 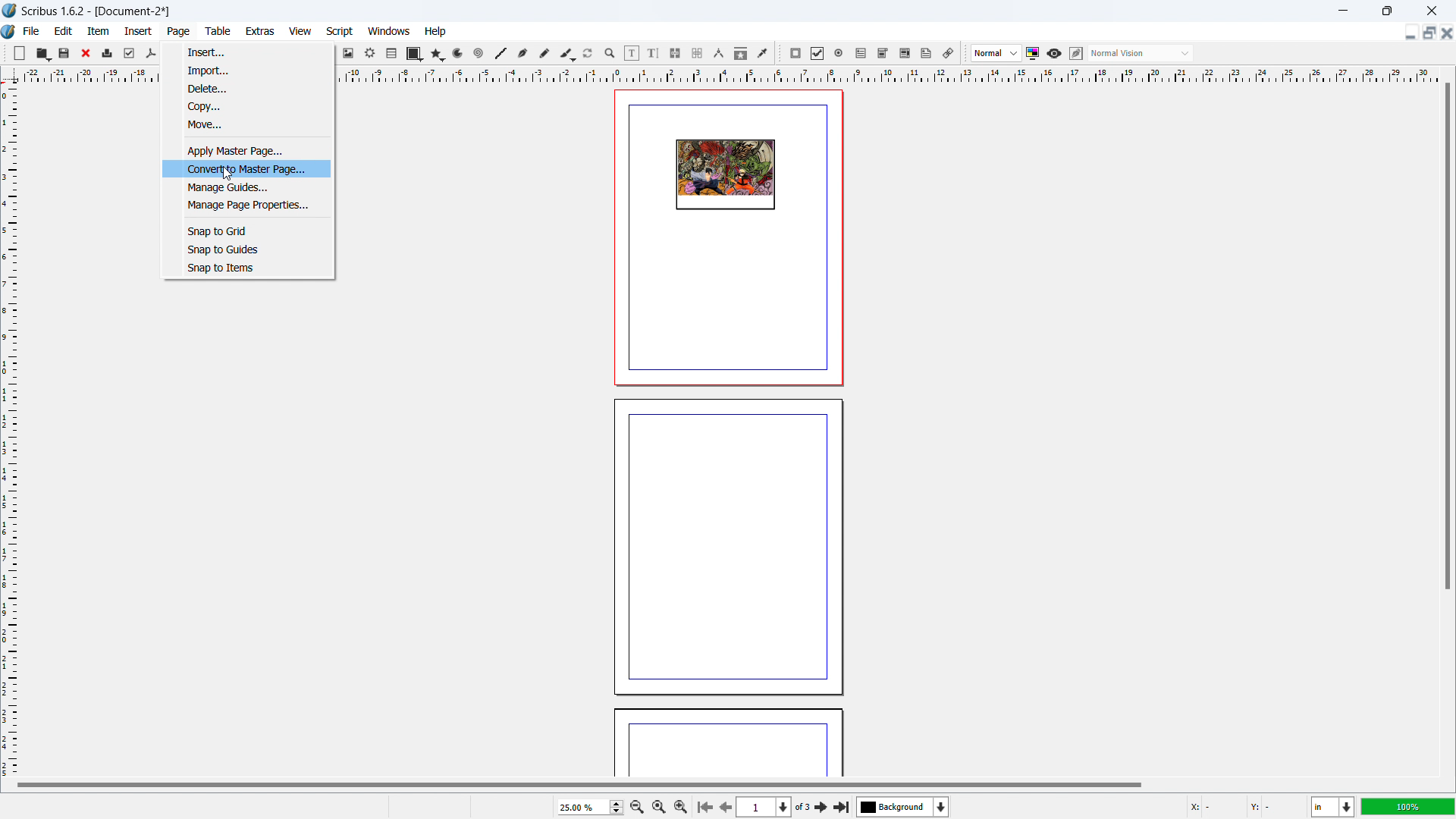 I want to click on snap to grid, so click(x=247, y=230).